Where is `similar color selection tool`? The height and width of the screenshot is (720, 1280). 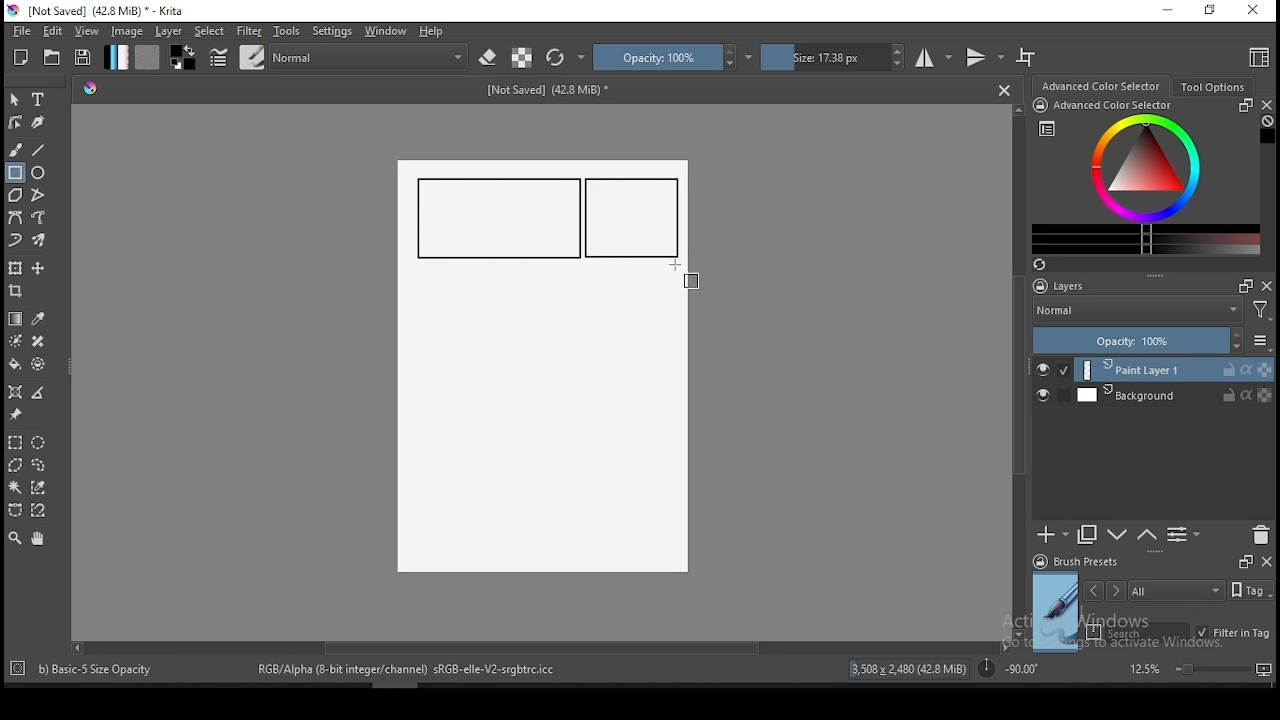 similar color selection tool is located at coordinates (41, 487).